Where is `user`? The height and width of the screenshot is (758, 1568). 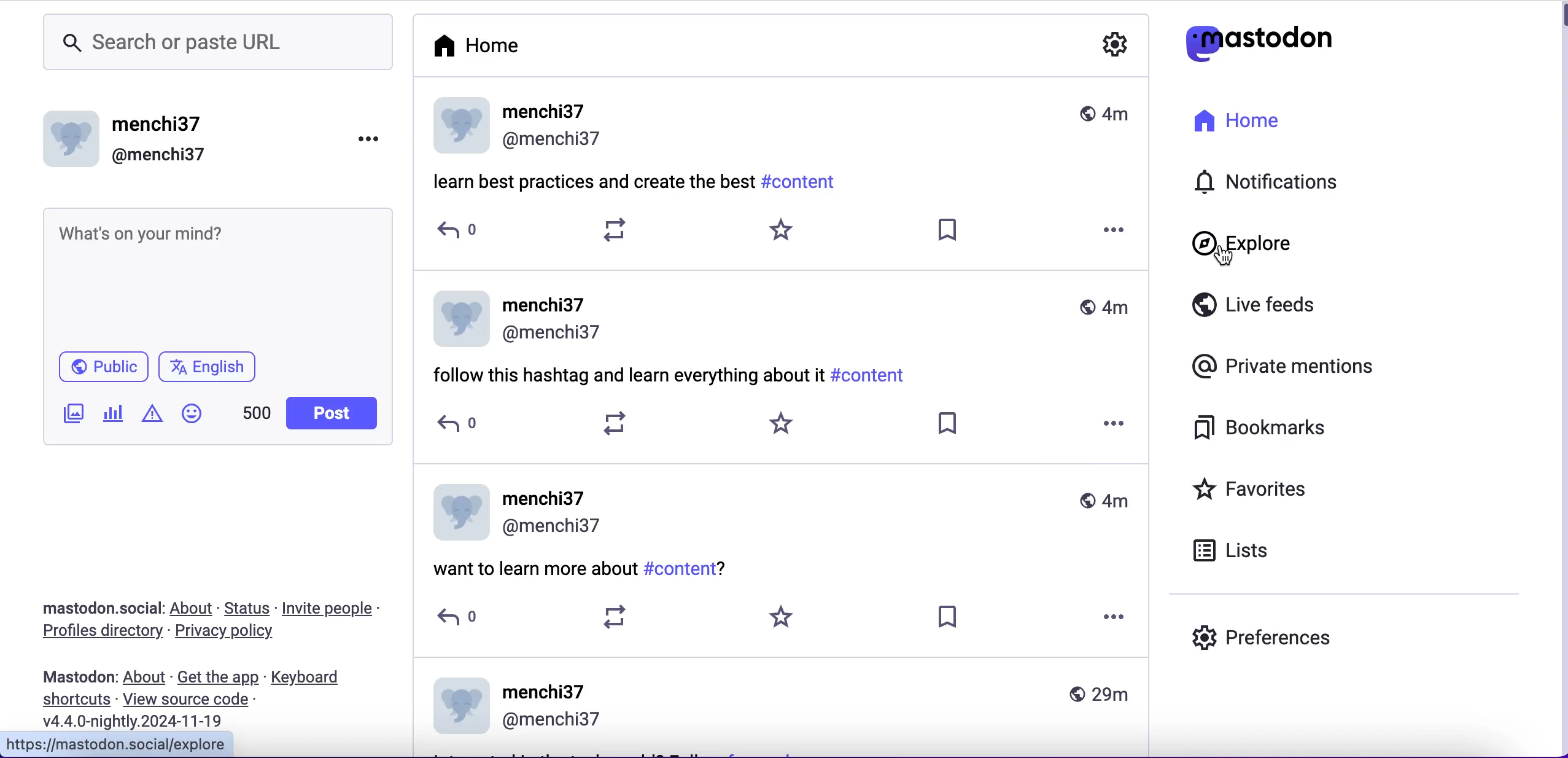 user is located at coordinates (782, 706).